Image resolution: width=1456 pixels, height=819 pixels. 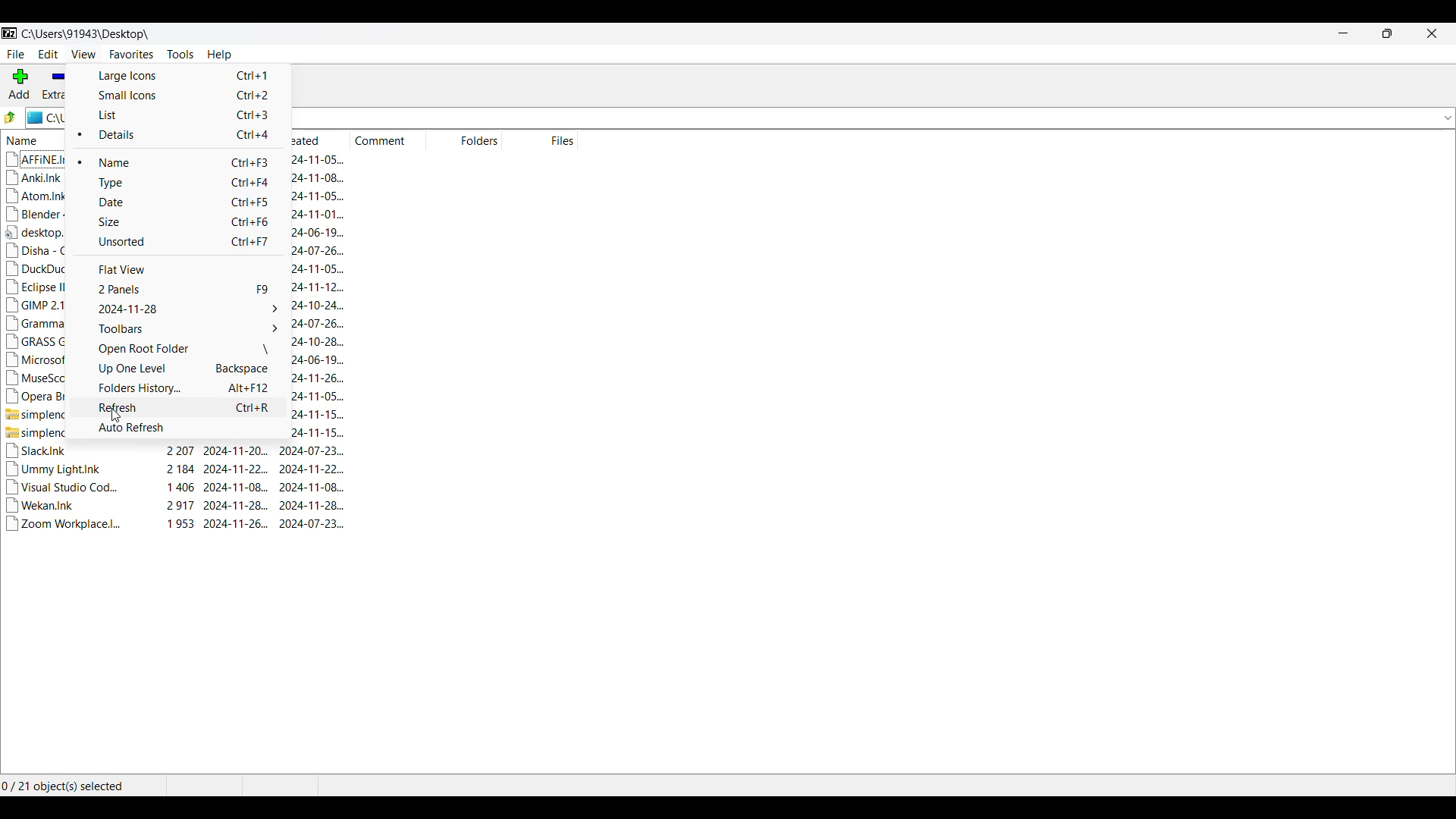 I want to click on Help, so click(x=219, y=55).